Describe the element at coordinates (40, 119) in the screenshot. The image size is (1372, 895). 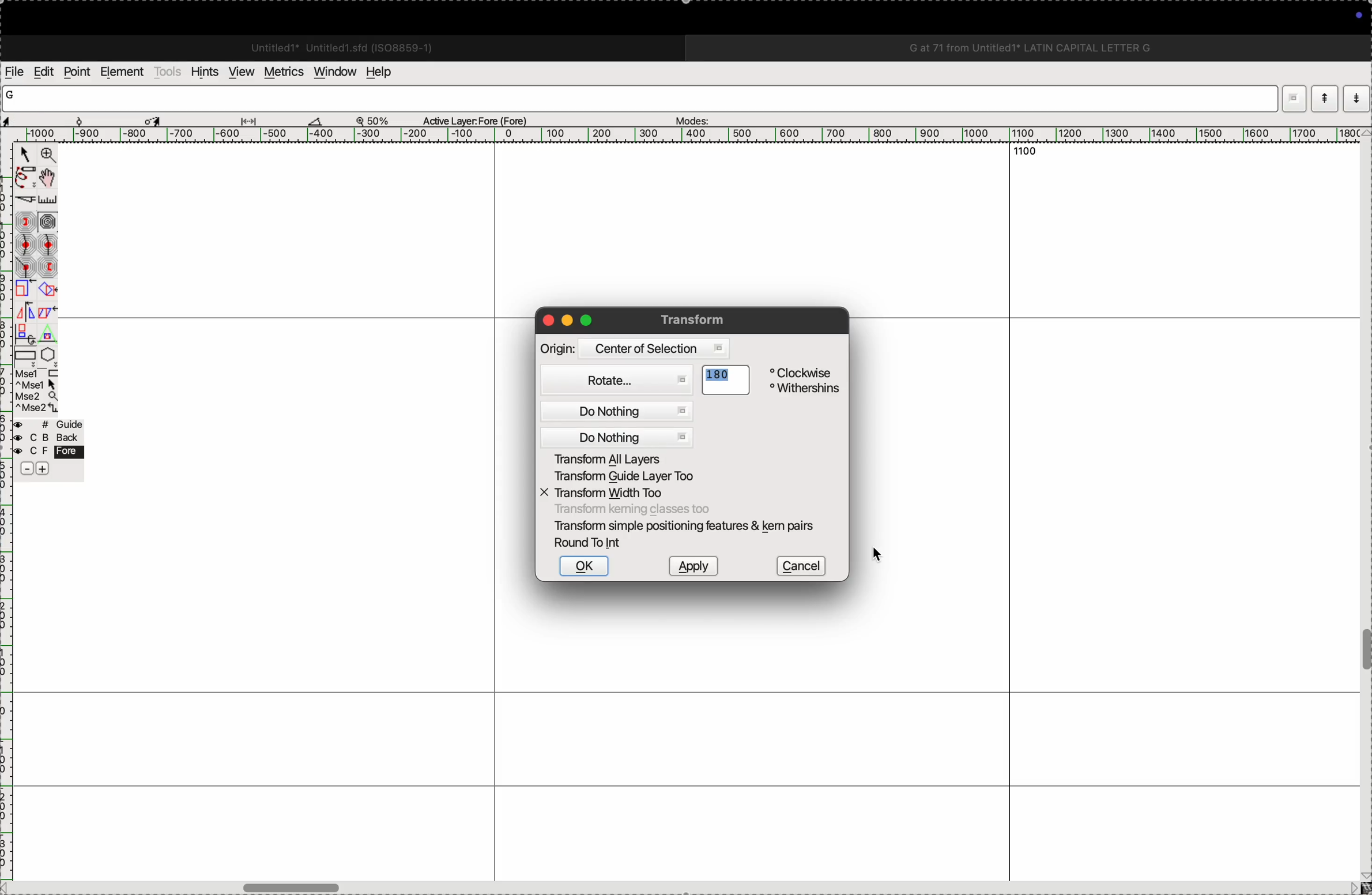
I see `cordinates` at that location.